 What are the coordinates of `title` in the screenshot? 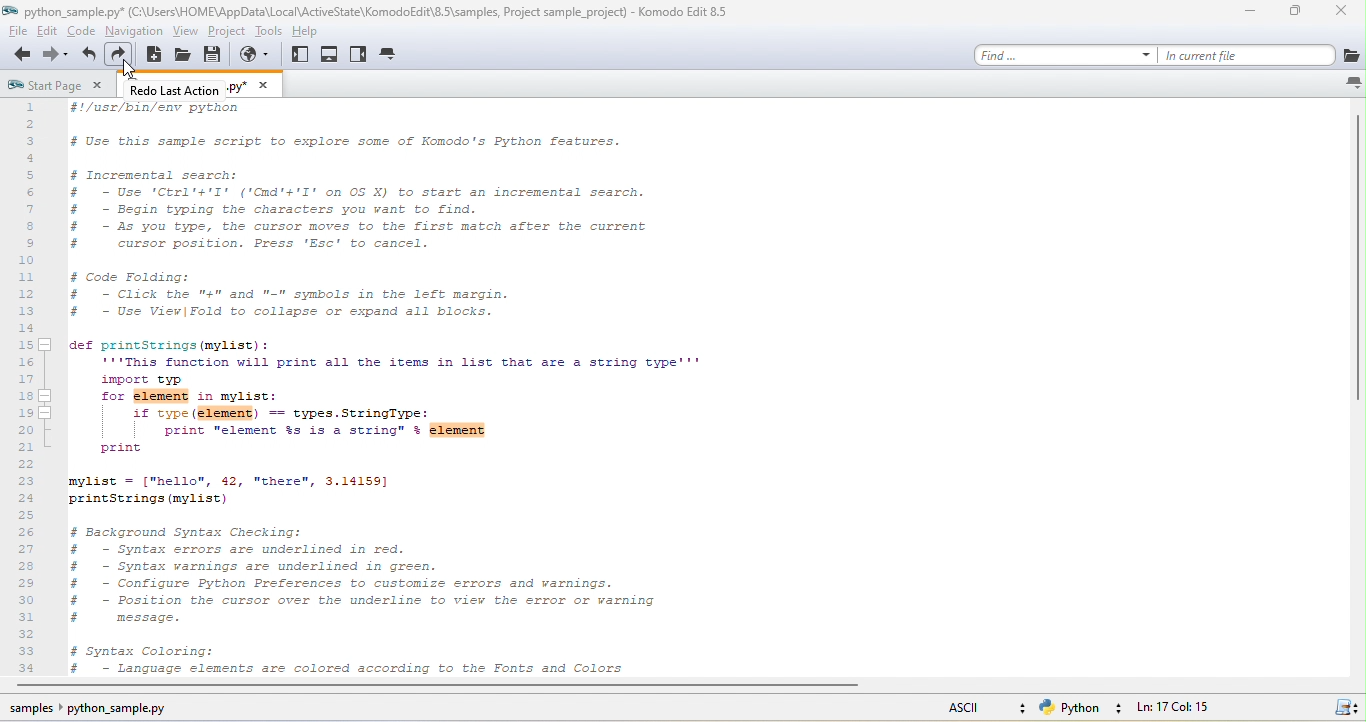 It's located at (365, 14).